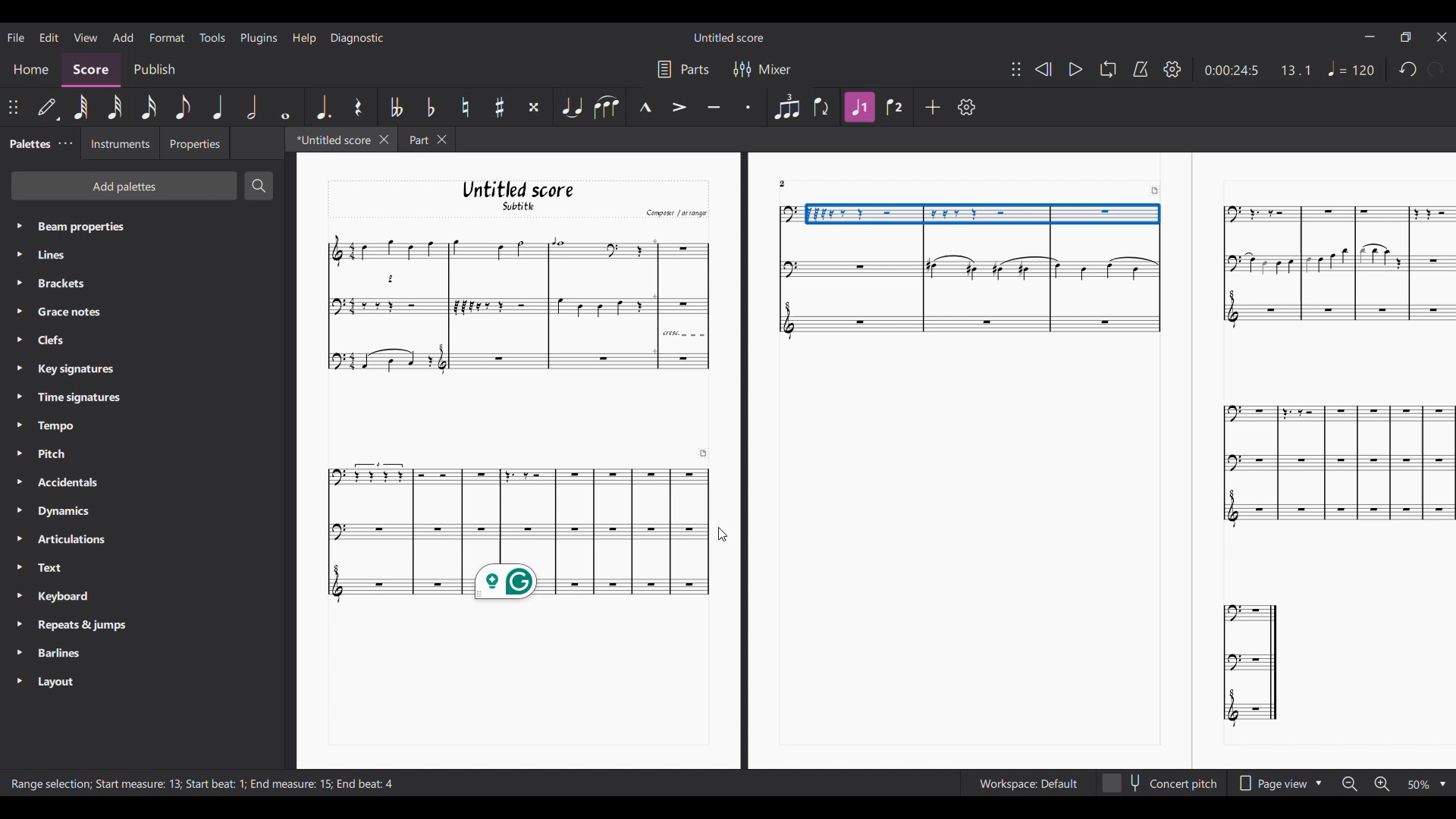  What do you see at coordinates (67, 367) in the screenshot?
I see `> Keysignatures` at bounding box center [67, 367].